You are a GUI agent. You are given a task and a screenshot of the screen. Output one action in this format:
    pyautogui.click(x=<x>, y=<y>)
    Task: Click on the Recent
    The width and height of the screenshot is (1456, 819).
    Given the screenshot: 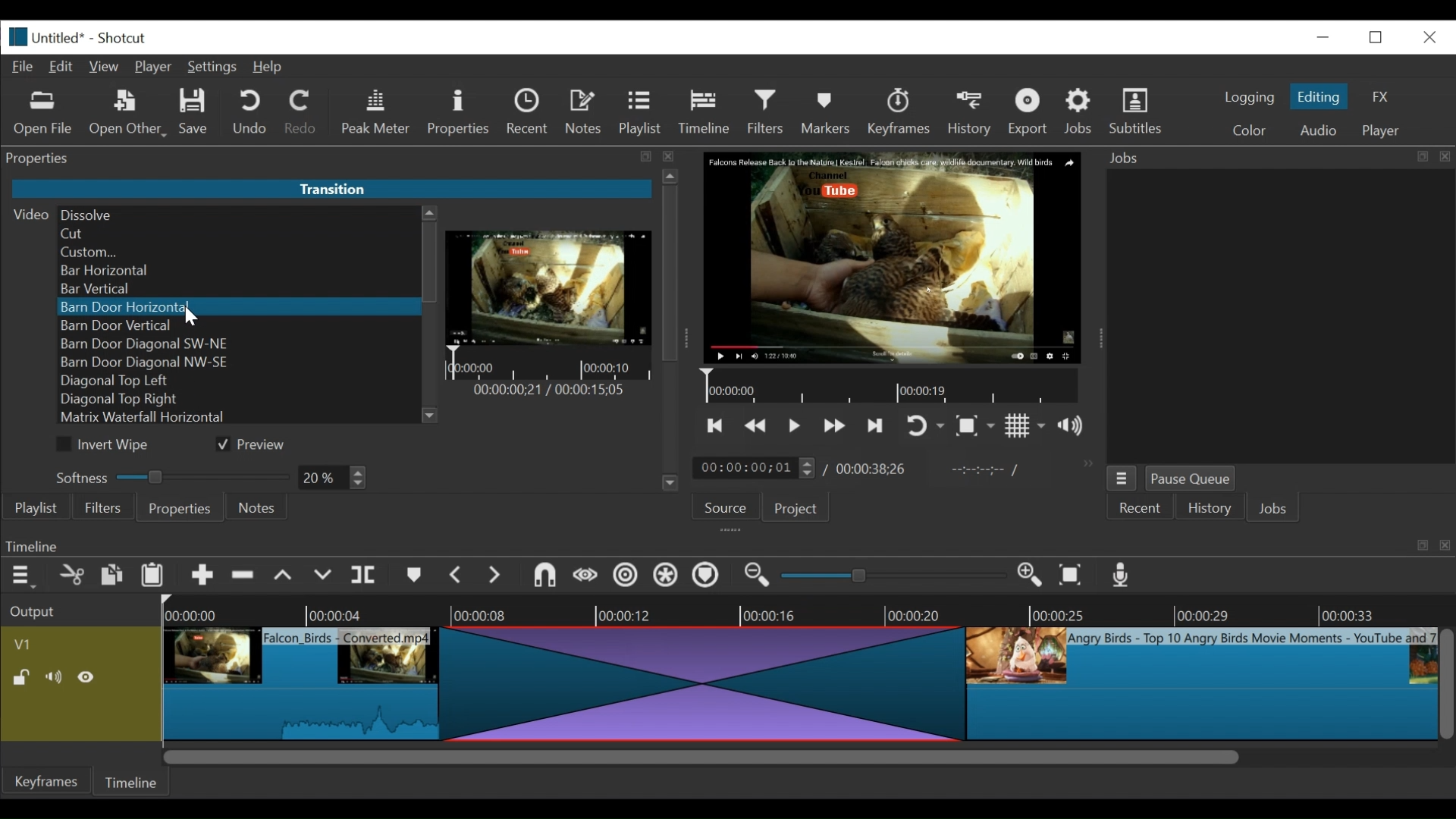 What is the action you would take?
    pyautogui.click(x=531, y=114)
    